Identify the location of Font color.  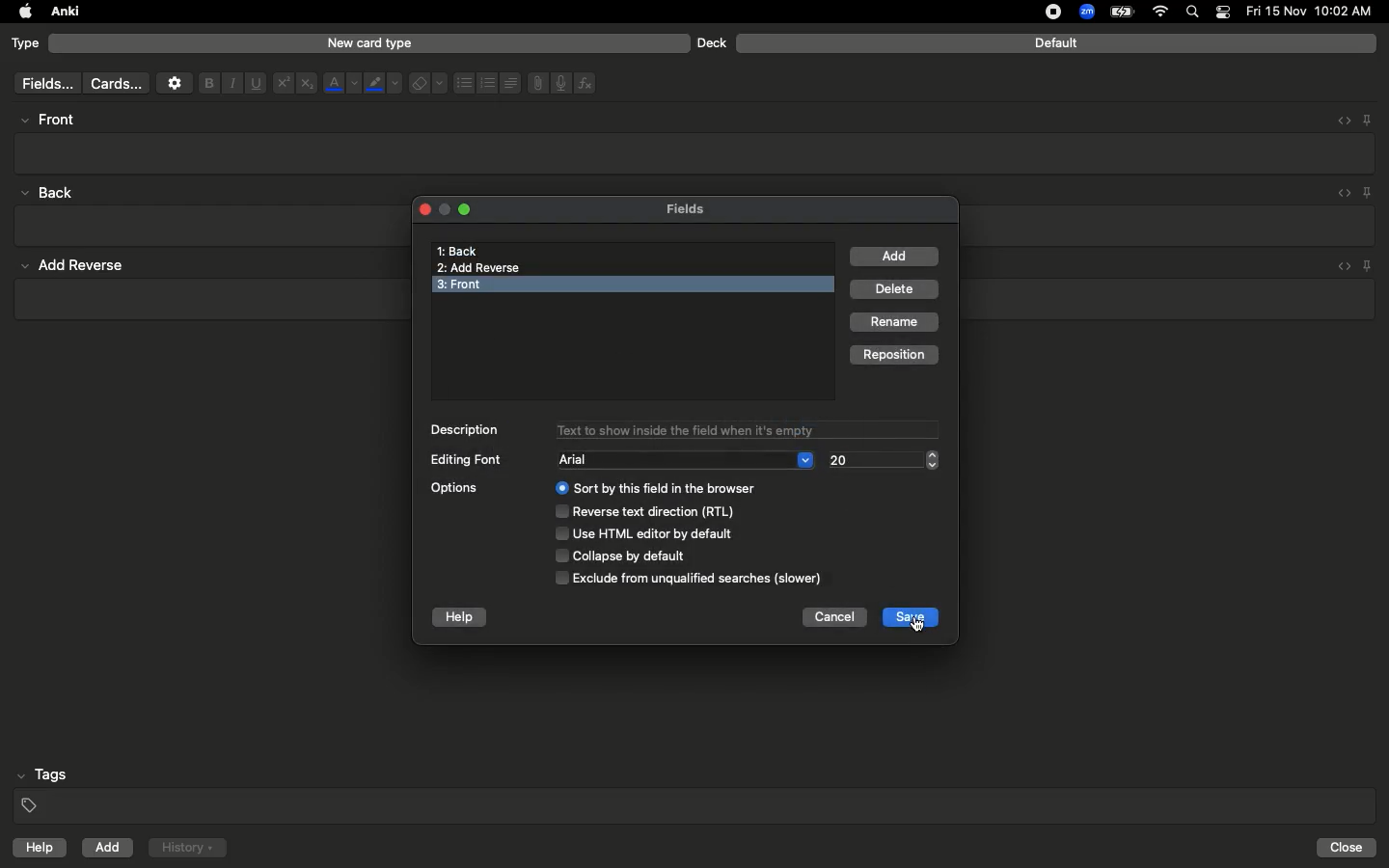
(340, 83).